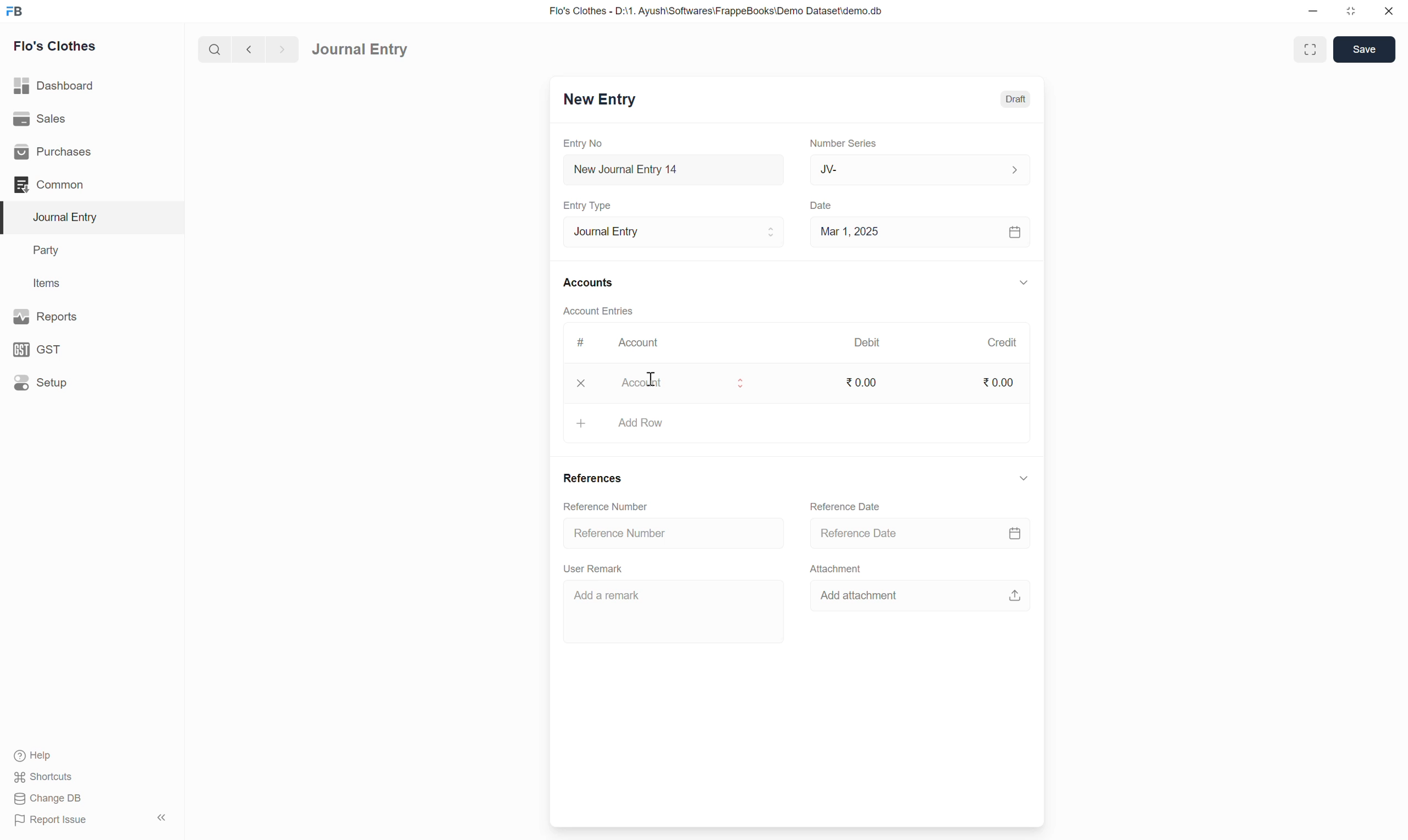  Describe the element at coordinates (280, 50) in the screenshot. I see `forward` at that location.